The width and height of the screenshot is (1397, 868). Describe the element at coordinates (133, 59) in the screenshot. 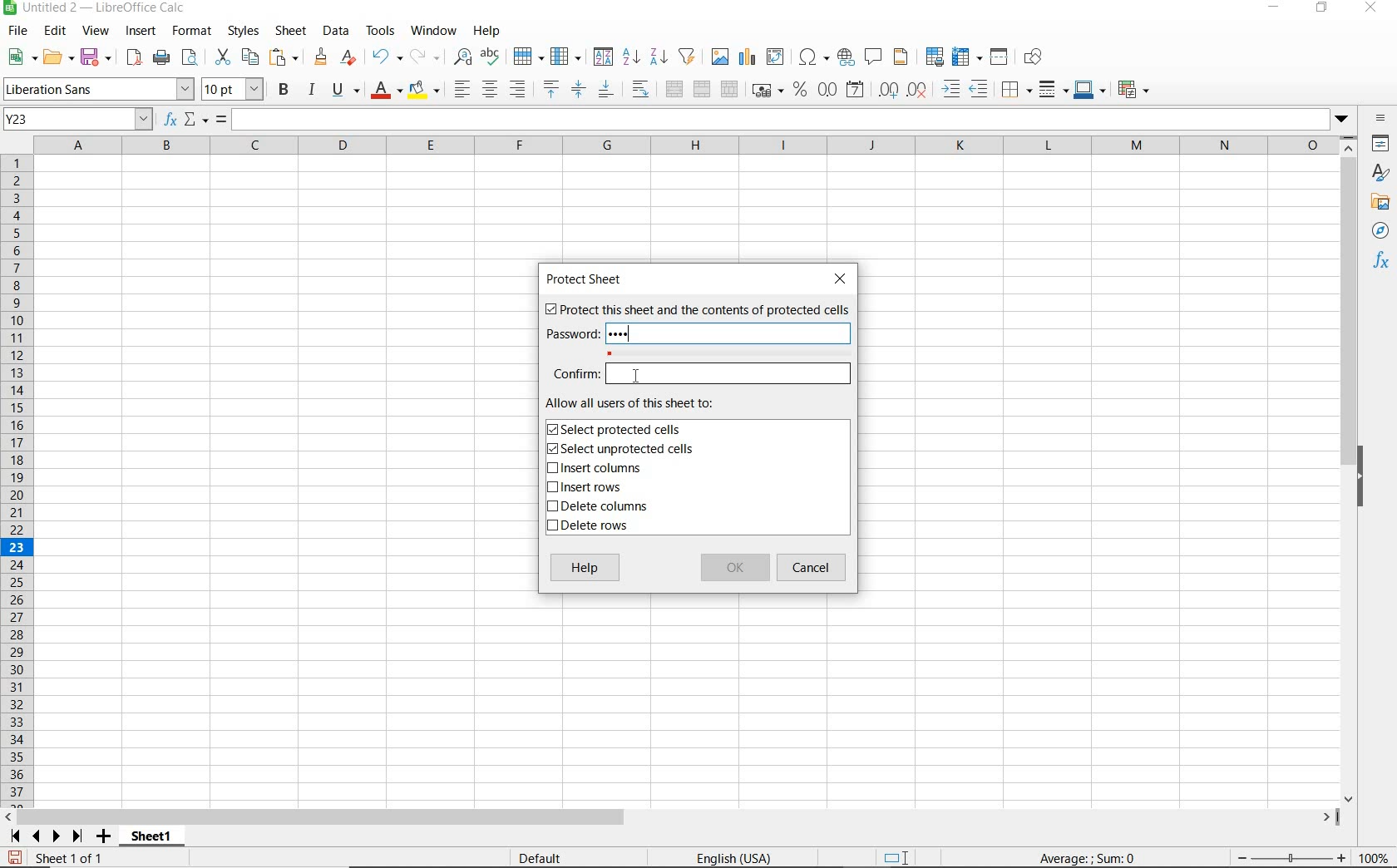

I see `EXPORT DIRECTLY AS PDF` at that location.